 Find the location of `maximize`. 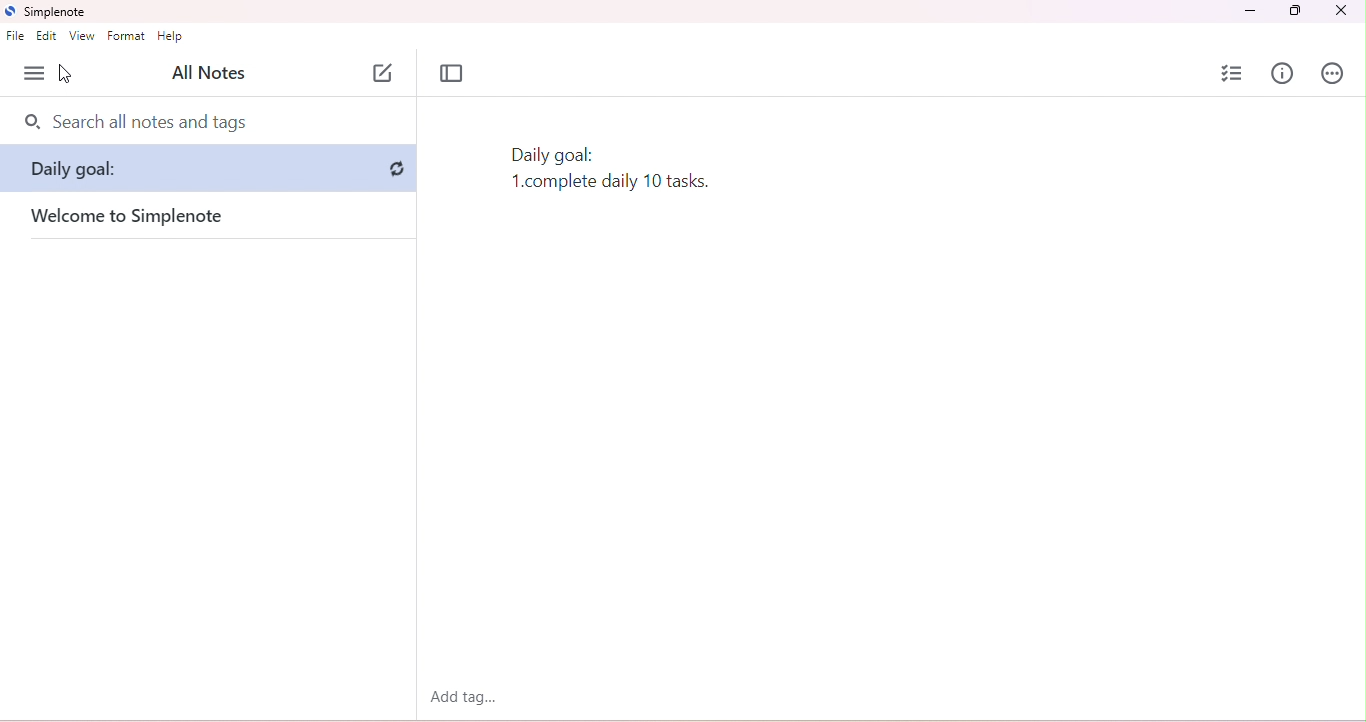

maximize is located at coordinates (1293, 11).